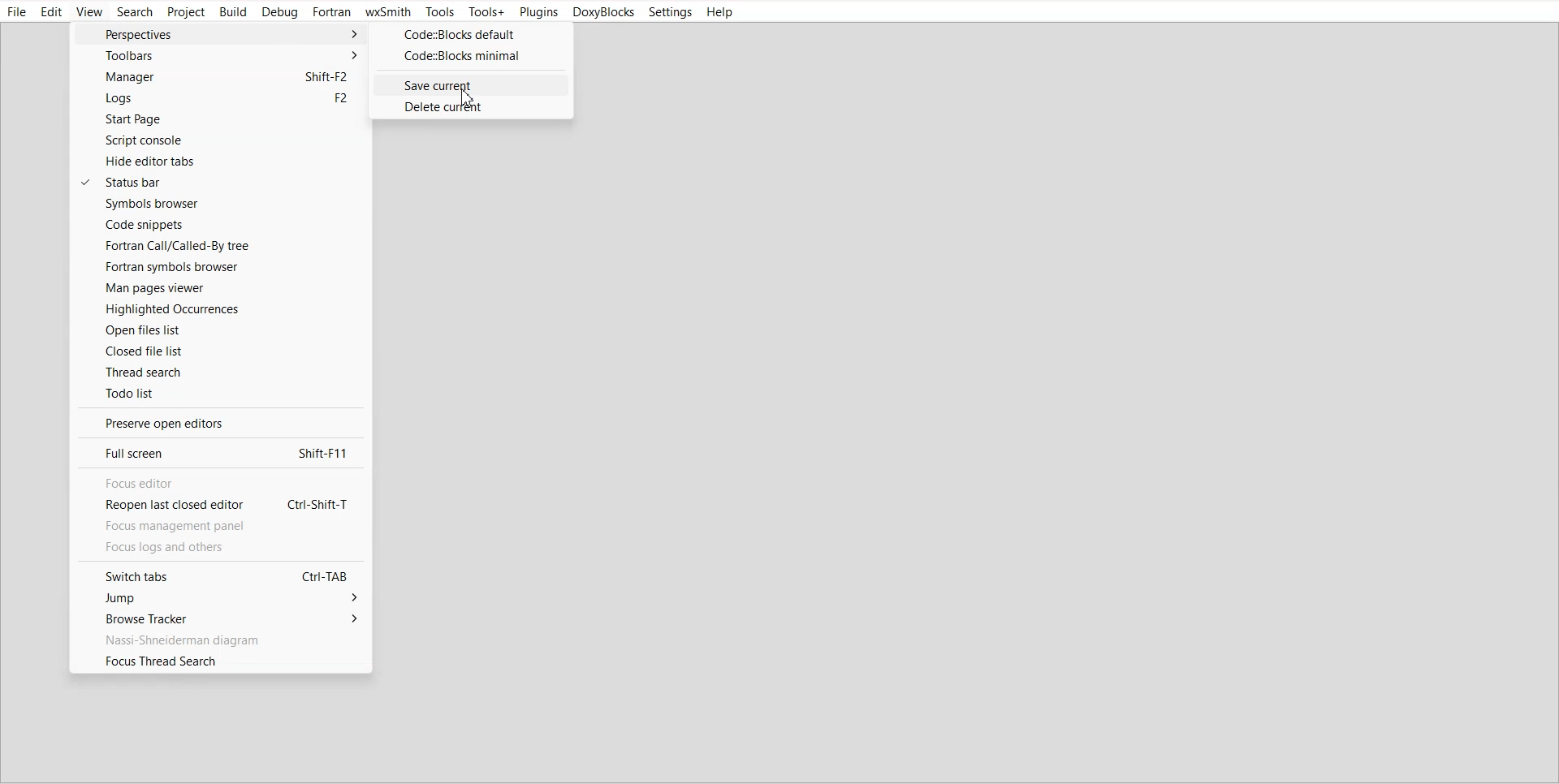  I want to click on File, so click(18, 12).